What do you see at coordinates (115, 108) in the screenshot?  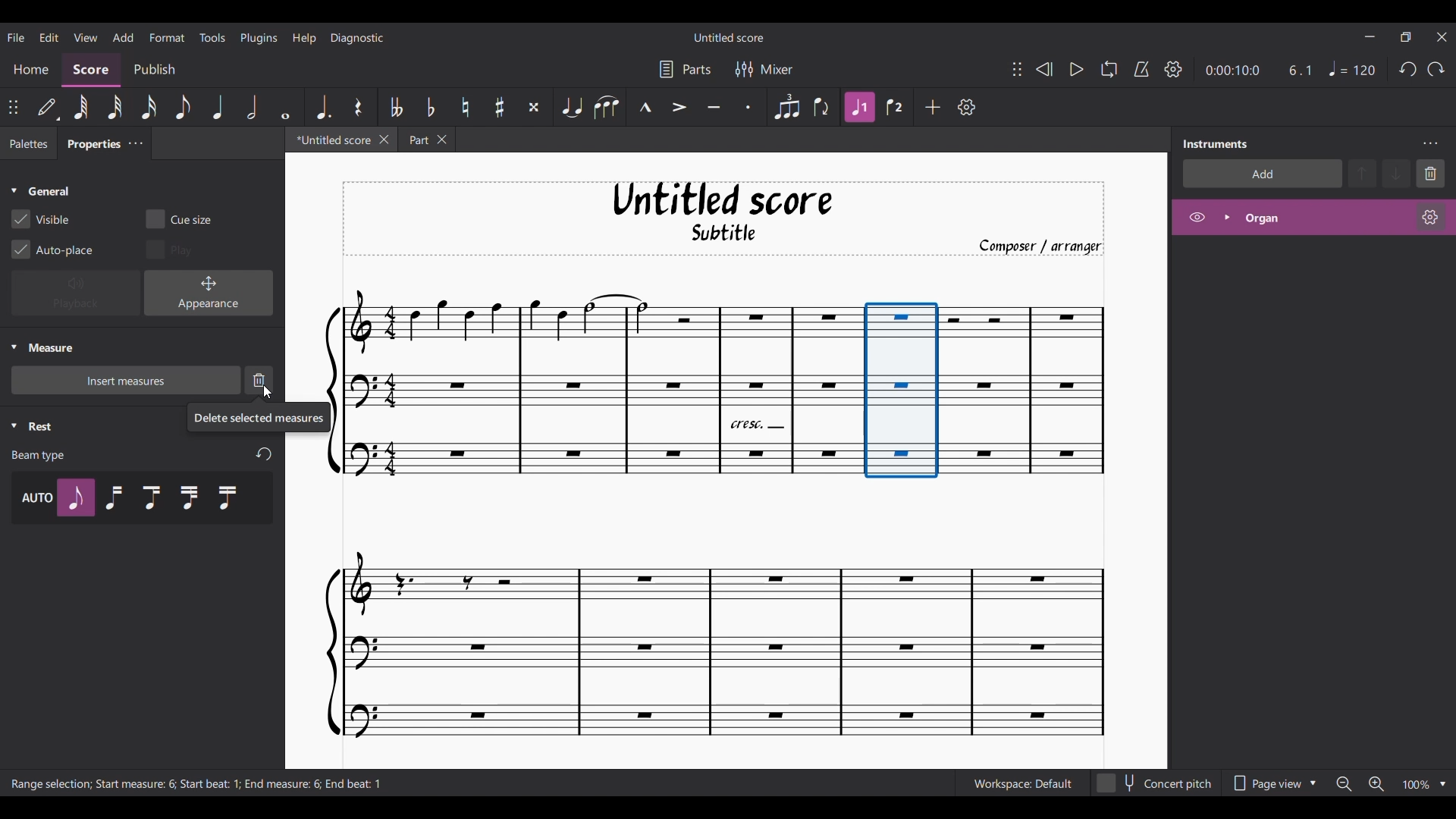 I see `32nd note` at bounding box center [115, 108].